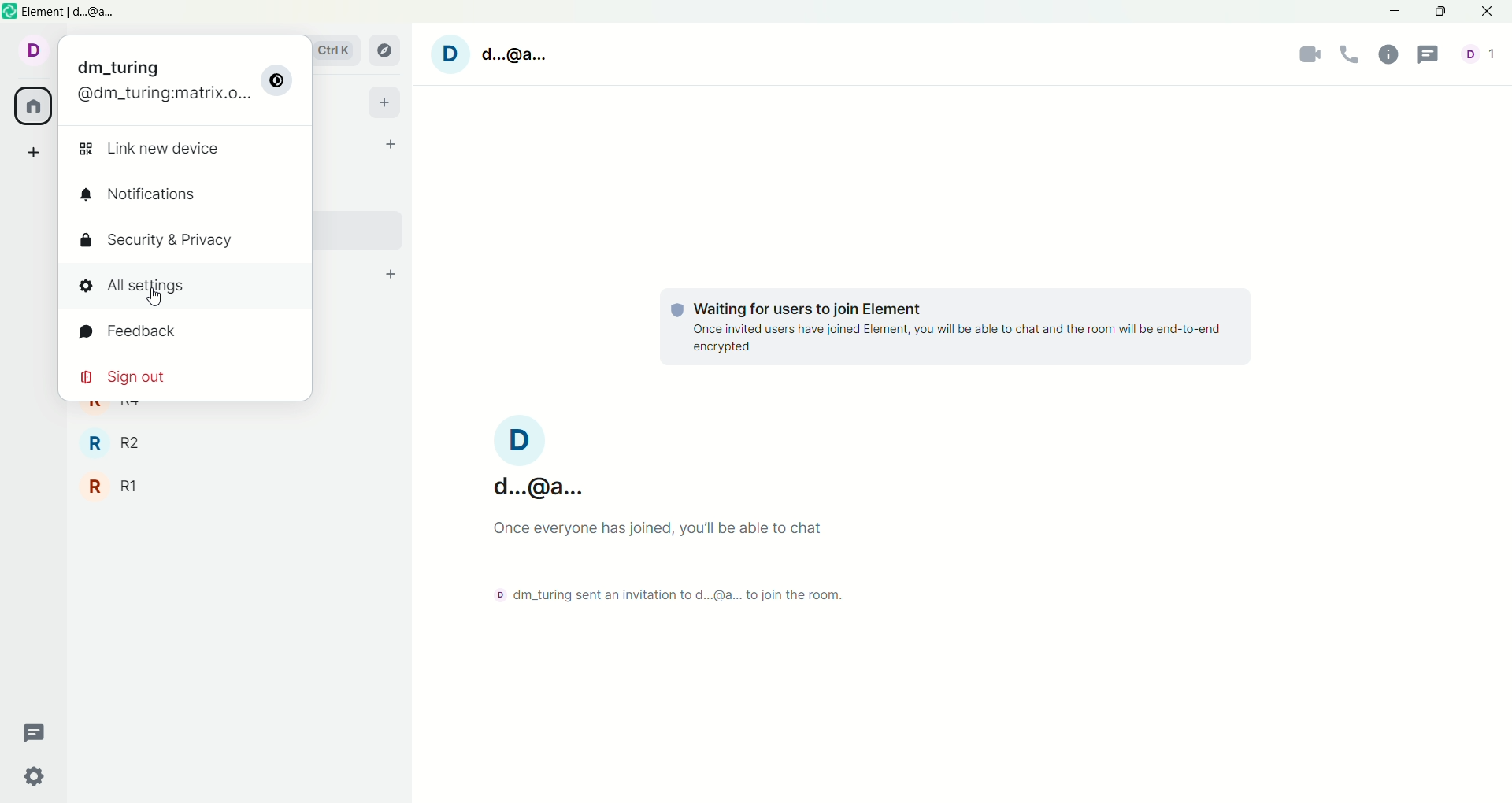 This screenshot has width=1512, height=803. Describe the element at coordinates (1431, 55) in the screenshot. I see `threads` at that location.